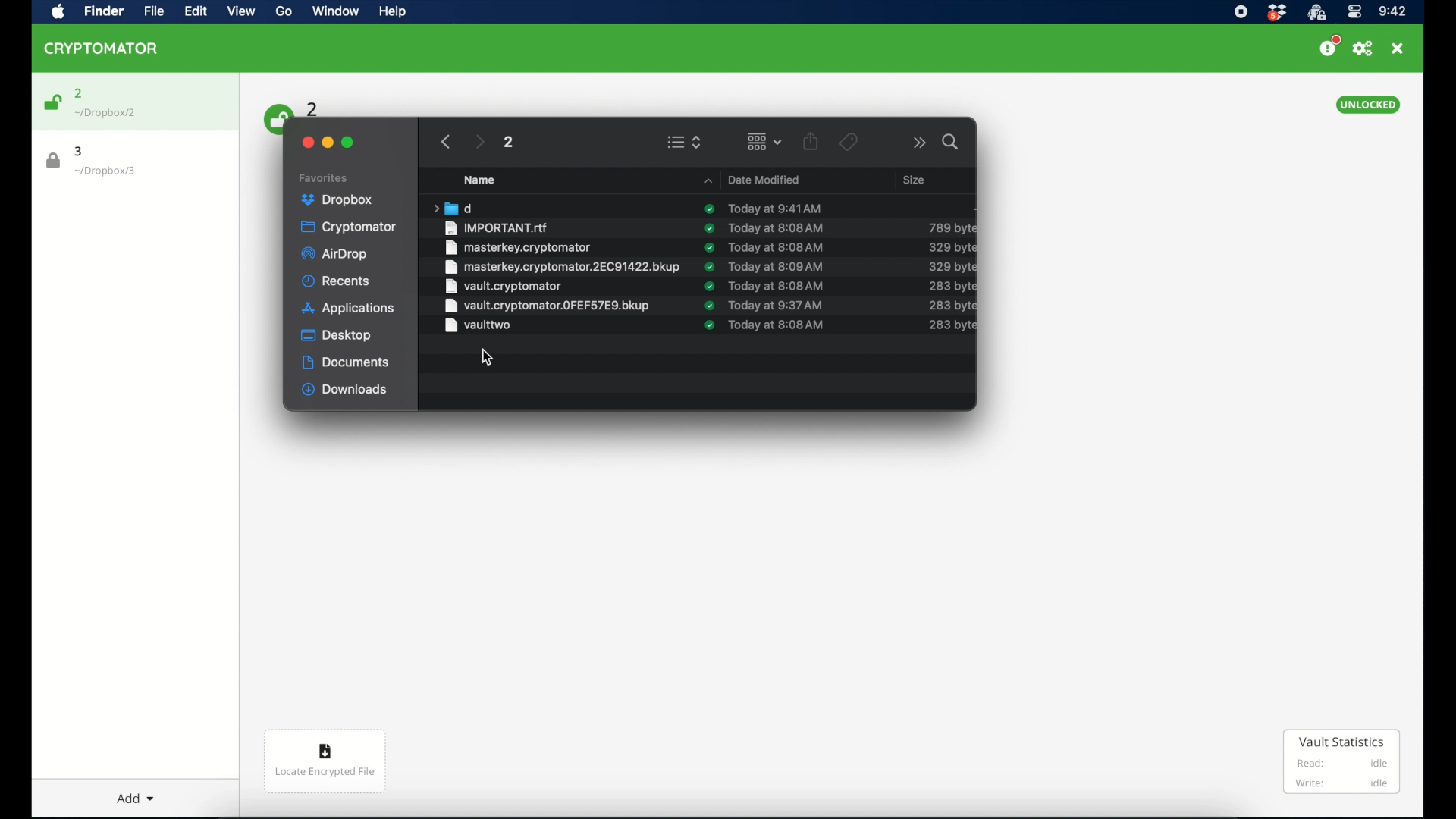 The height and width of the screenshot is (819, 1456). I want to click on name, so click(479, 180).